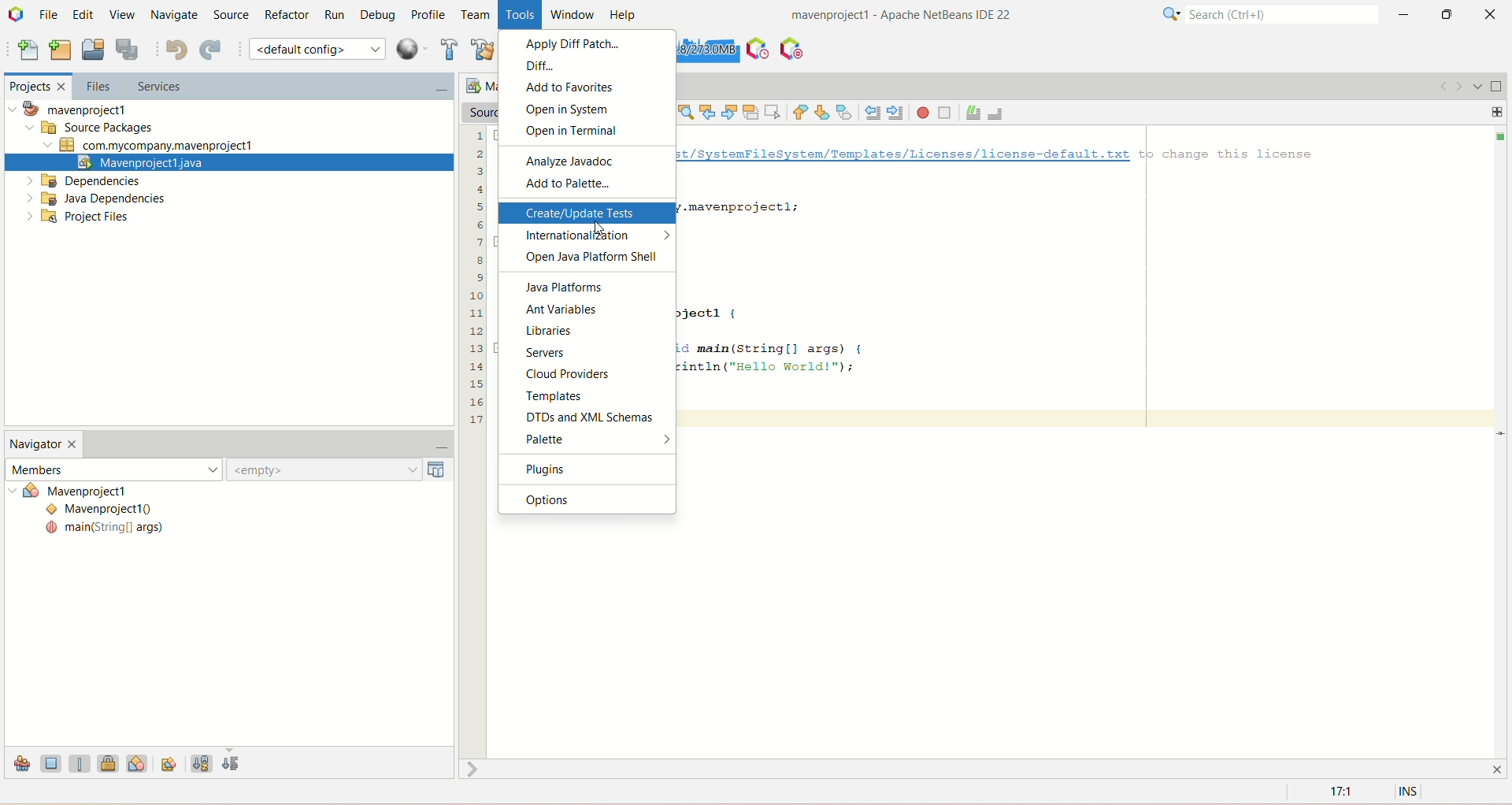 The height and width of the screenshot is (805, 1512). What do you see at coordinates (228, 161) in the screenshot?
I see `mavenproject1.java` at bounding box center [228, 161].